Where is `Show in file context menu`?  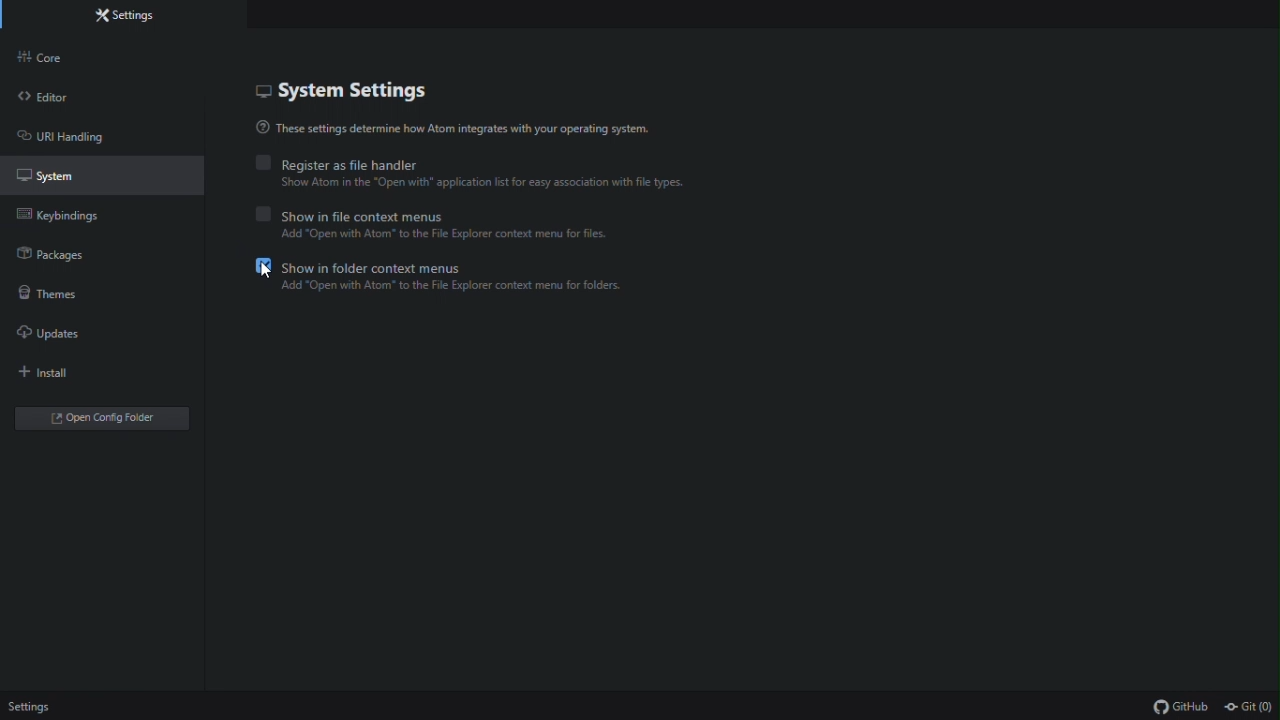
Show in file context menu is located at coordinates (443, 214).